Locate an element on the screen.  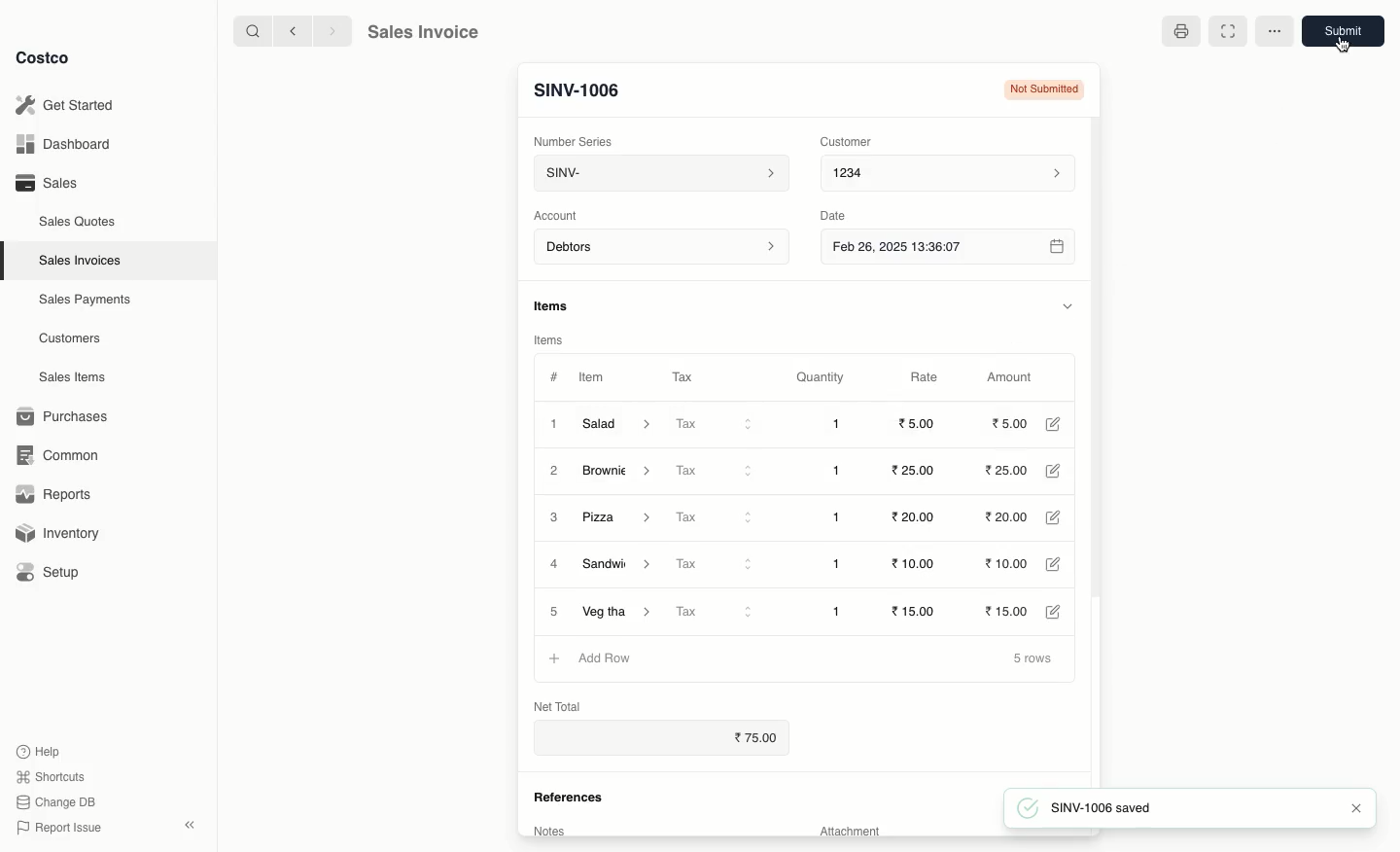
4 is located at coordinates (553, 566).